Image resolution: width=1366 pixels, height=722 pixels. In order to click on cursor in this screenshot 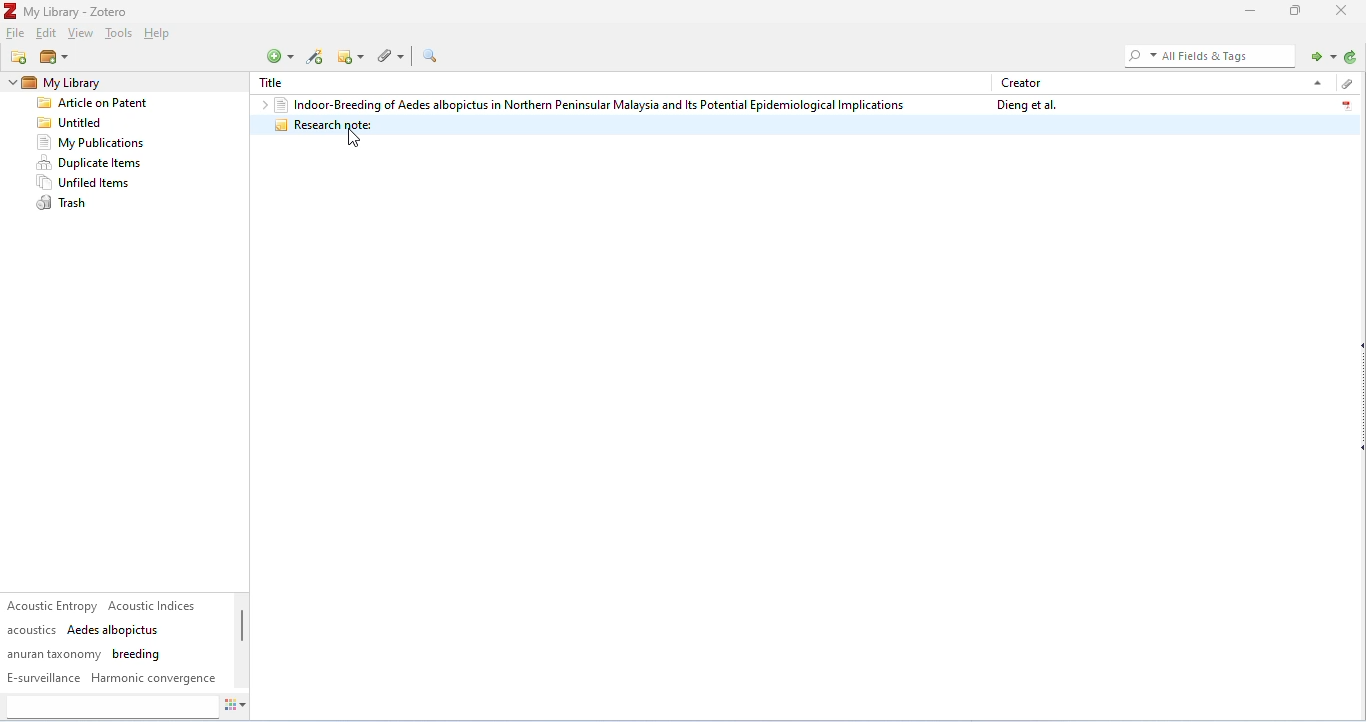, I will do `click(354, 139)`.